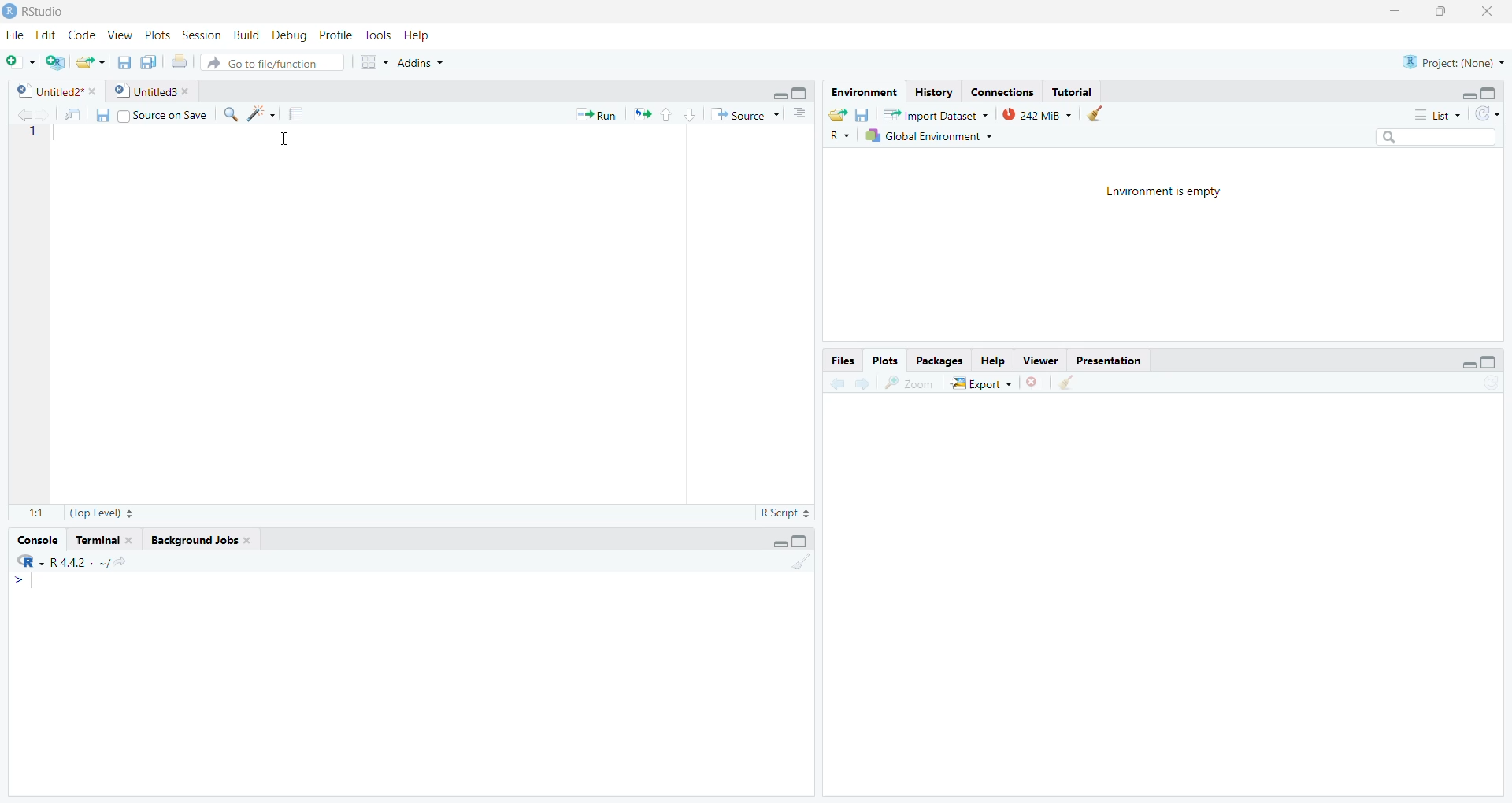 The width and height of the screenshot is (1512, 803). I want to click on save workspace, so click(862, 113).